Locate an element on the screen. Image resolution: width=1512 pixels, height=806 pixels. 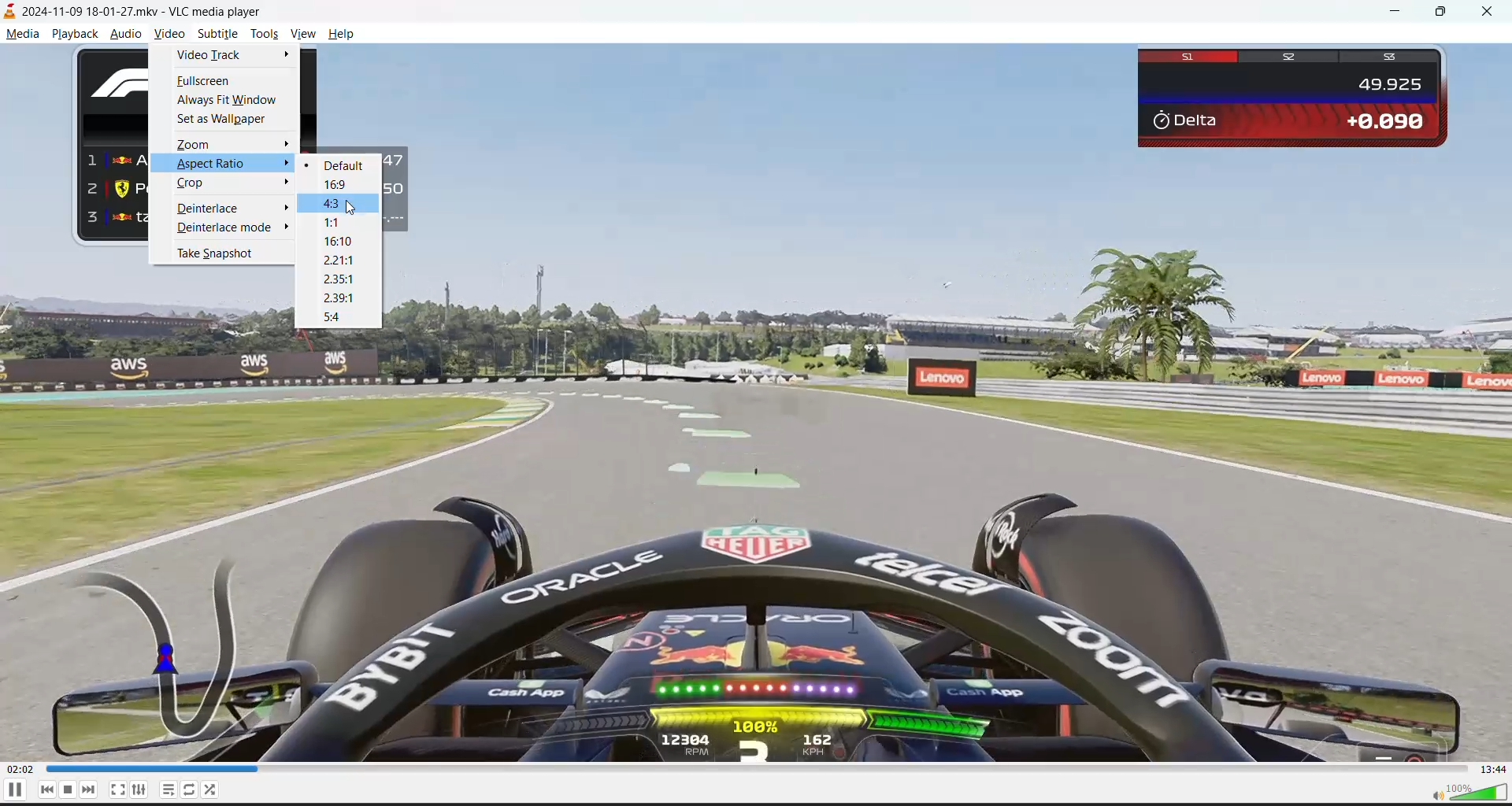
minimize is located at coordinates (1399, 13).